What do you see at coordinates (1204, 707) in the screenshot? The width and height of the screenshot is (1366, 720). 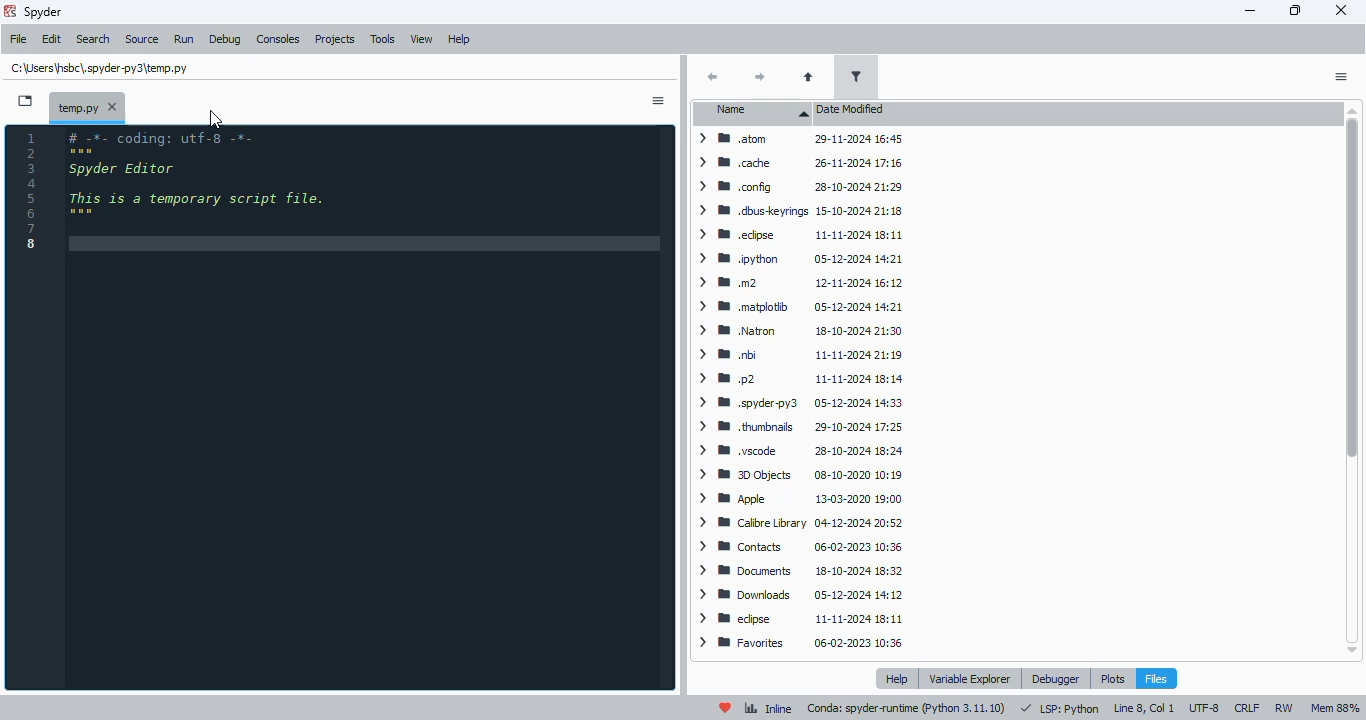 I see `UTF-8` at bounding box center [1204, 707].